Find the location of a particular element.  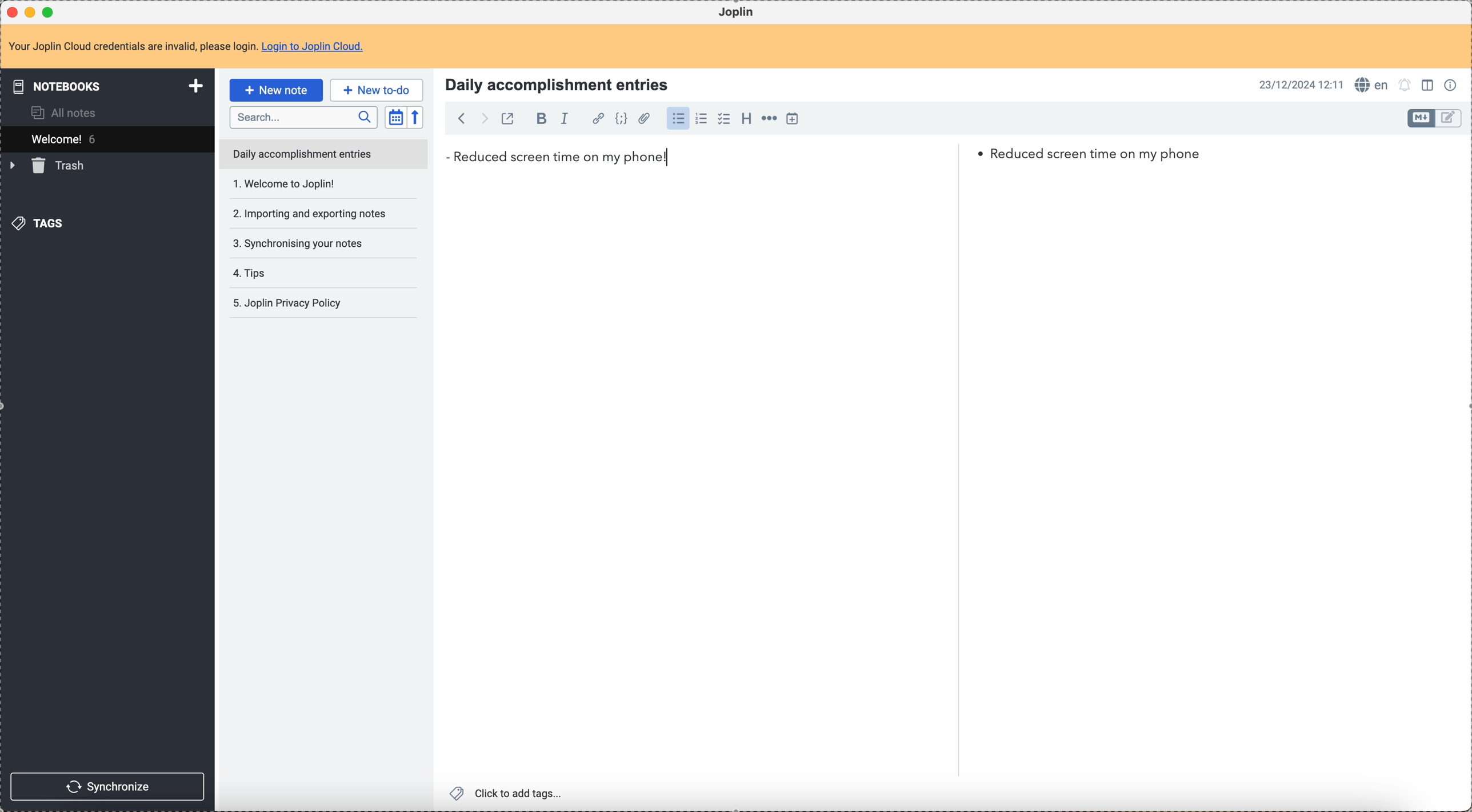

synchronize is located at coordinates (107, 785).